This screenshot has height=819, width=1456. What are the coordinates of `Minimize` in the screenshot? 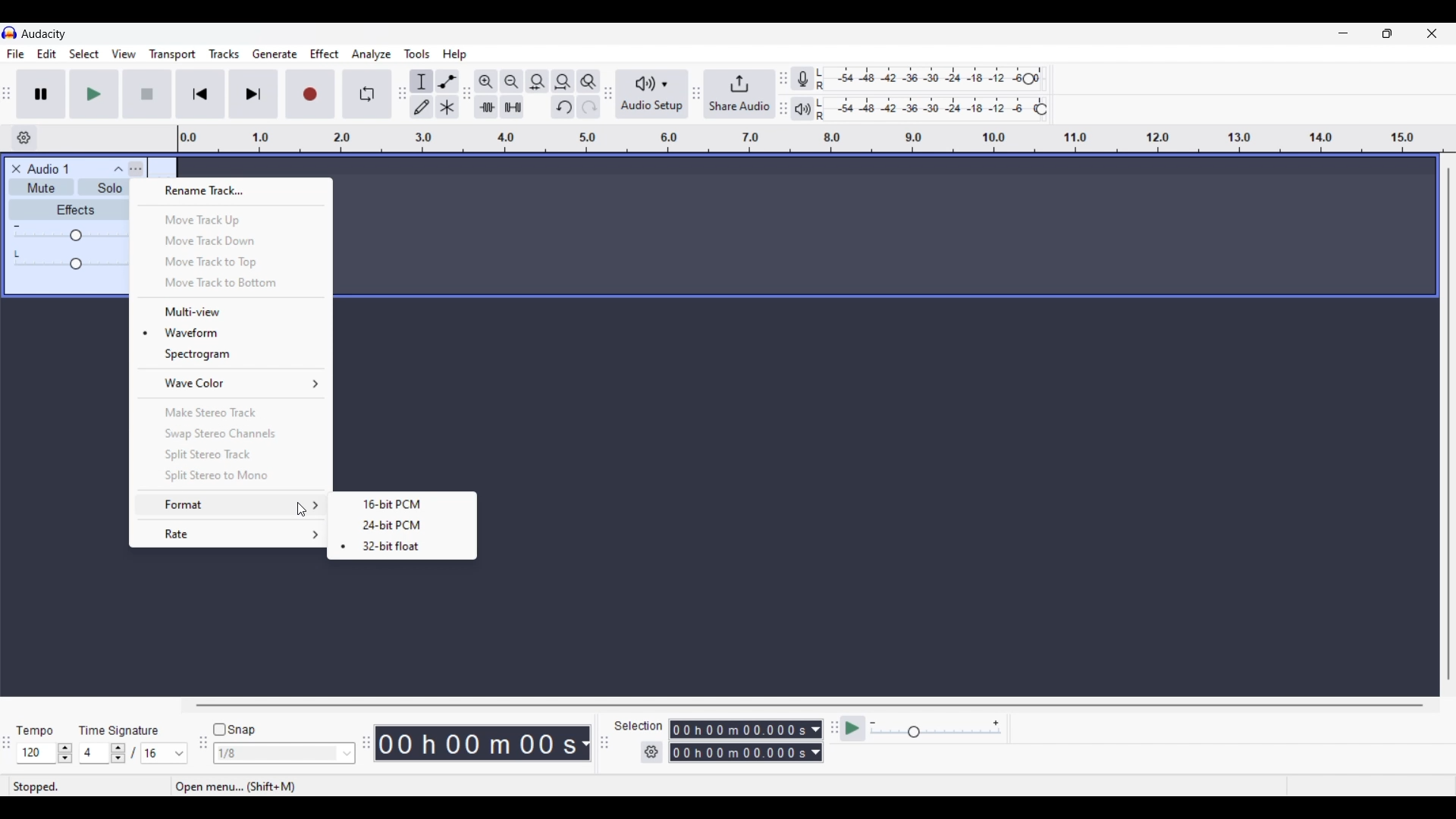 It's located at (1343, 33).